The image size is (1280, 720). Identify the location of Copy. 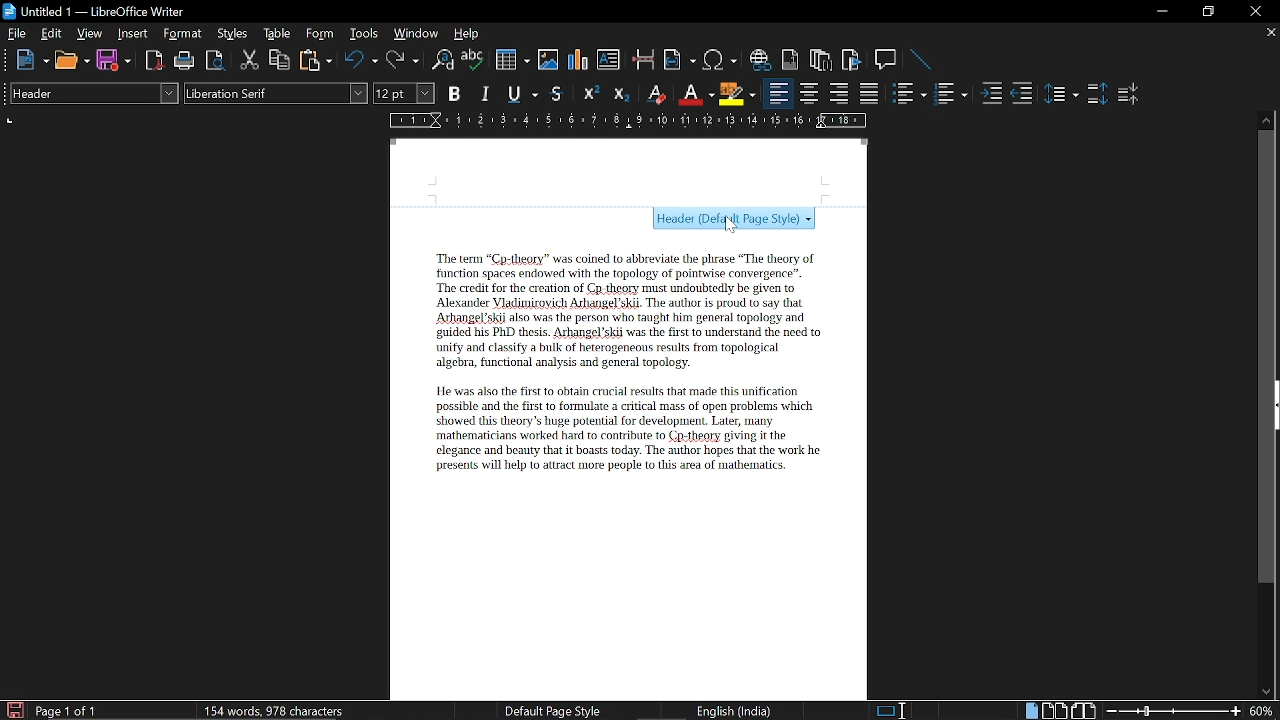
(278, 60).